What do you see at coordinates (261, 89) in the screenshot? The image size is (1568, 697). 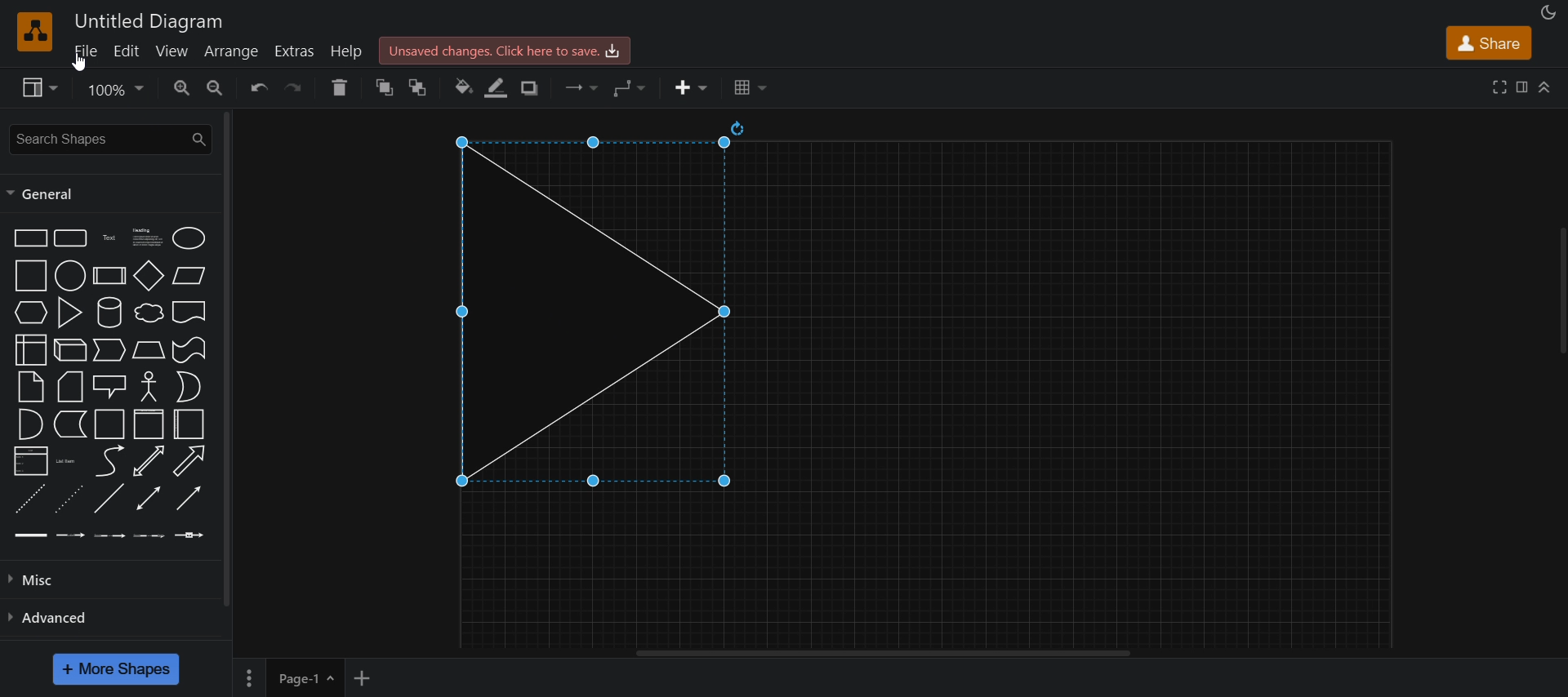 I see `undo` at bounding box center [261, 89].